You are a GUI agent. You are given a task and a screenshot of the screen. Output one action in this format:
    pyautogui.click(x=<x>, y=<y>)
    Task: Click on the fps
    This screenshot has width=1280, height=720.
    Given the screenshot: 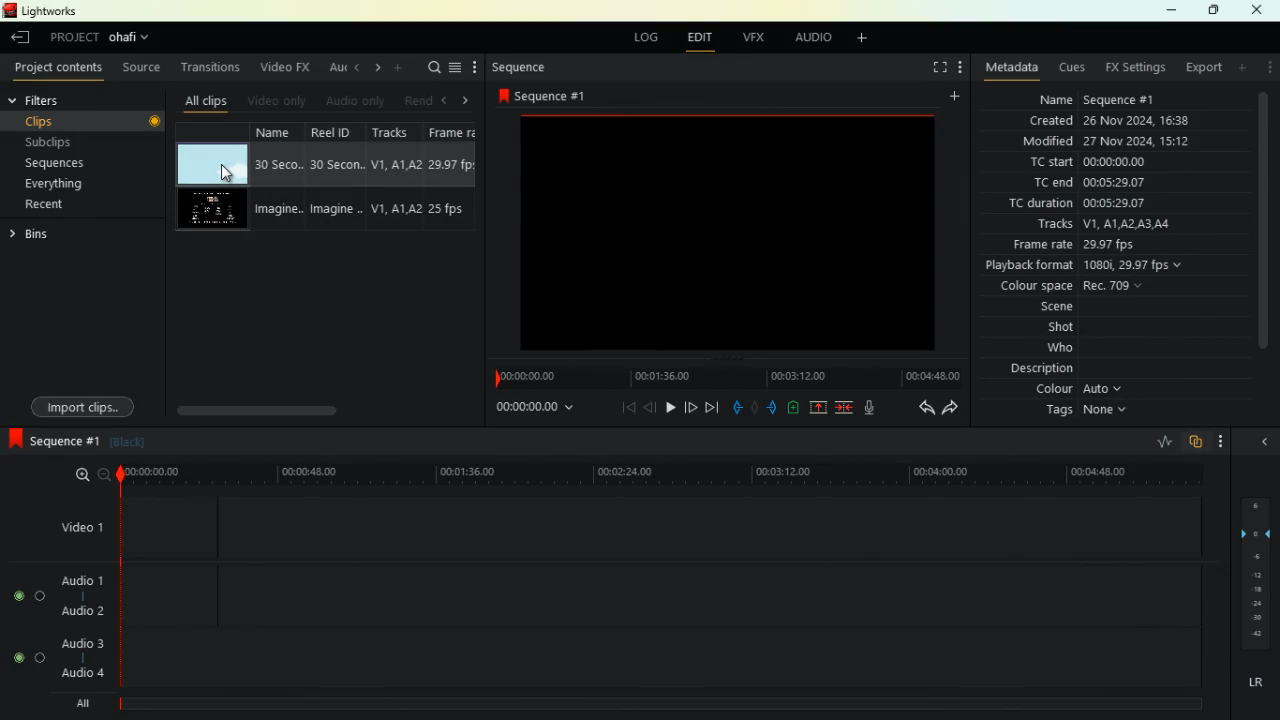 What is the action you would take?
    pyautogui.click(x=452, y=177)
    